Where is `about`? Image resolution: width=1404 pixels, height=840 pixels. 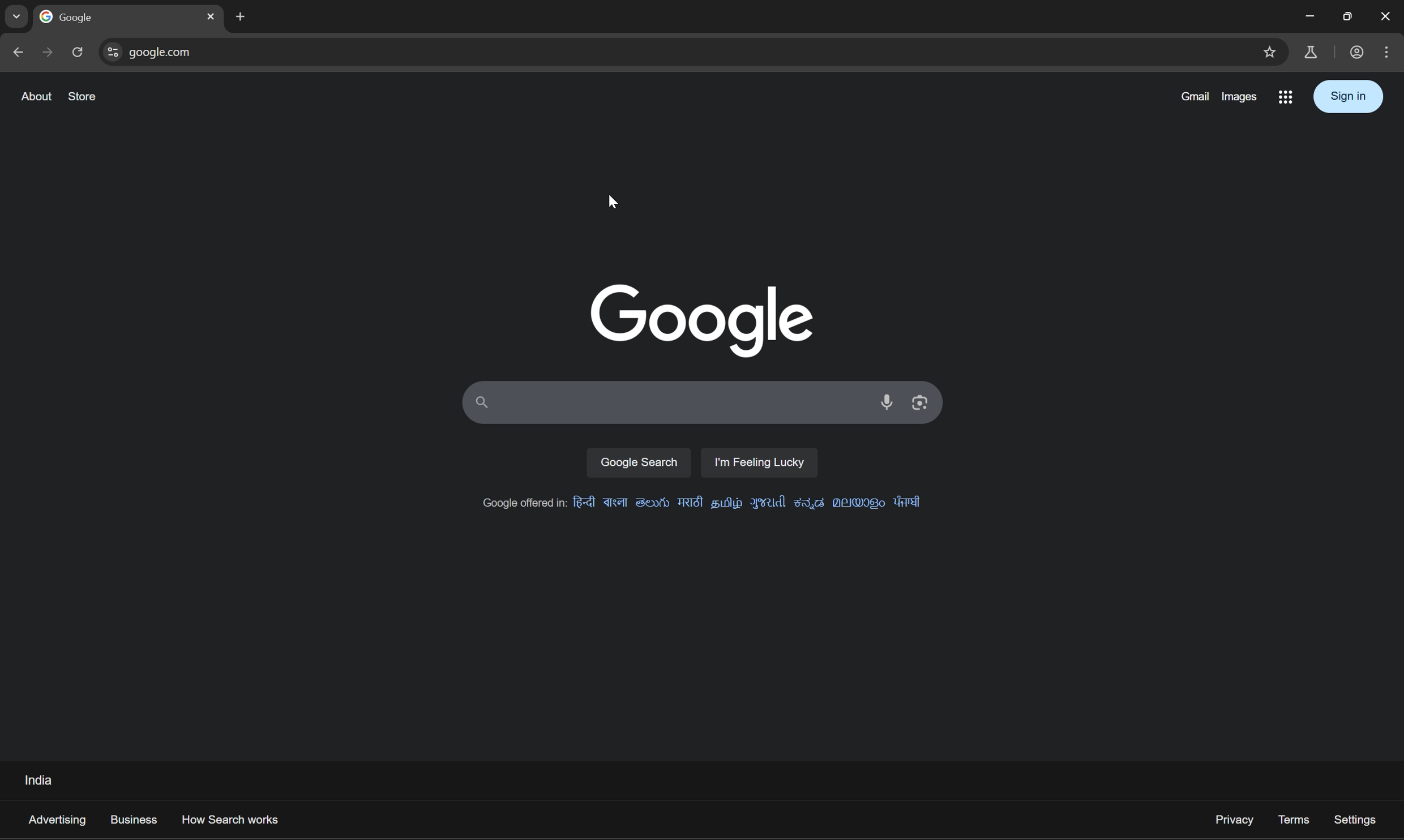 about is located at coordinates (36, 97).